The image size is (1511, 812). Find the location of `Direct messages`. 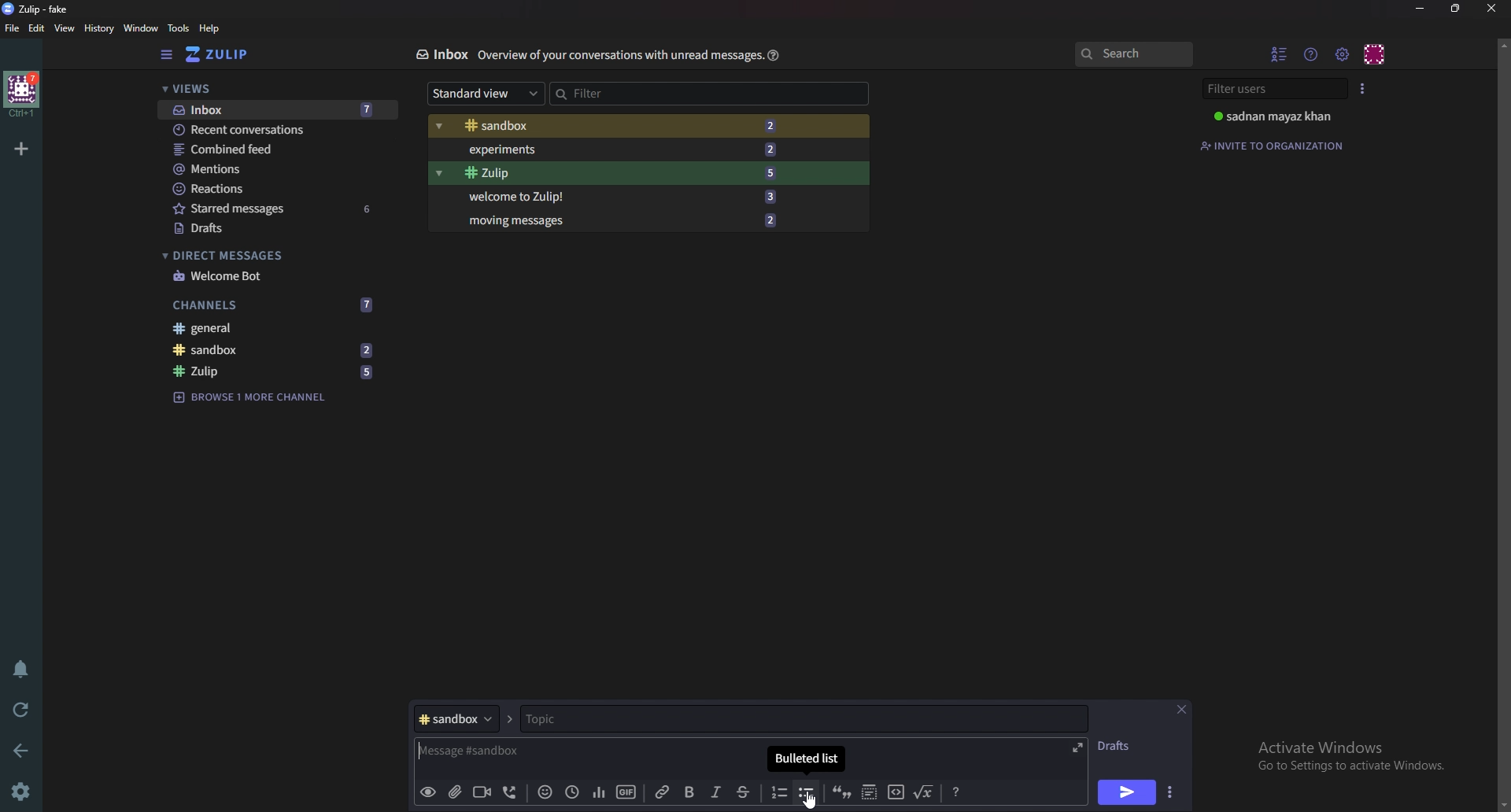

Direct messages is located at coordinates (271, 256).